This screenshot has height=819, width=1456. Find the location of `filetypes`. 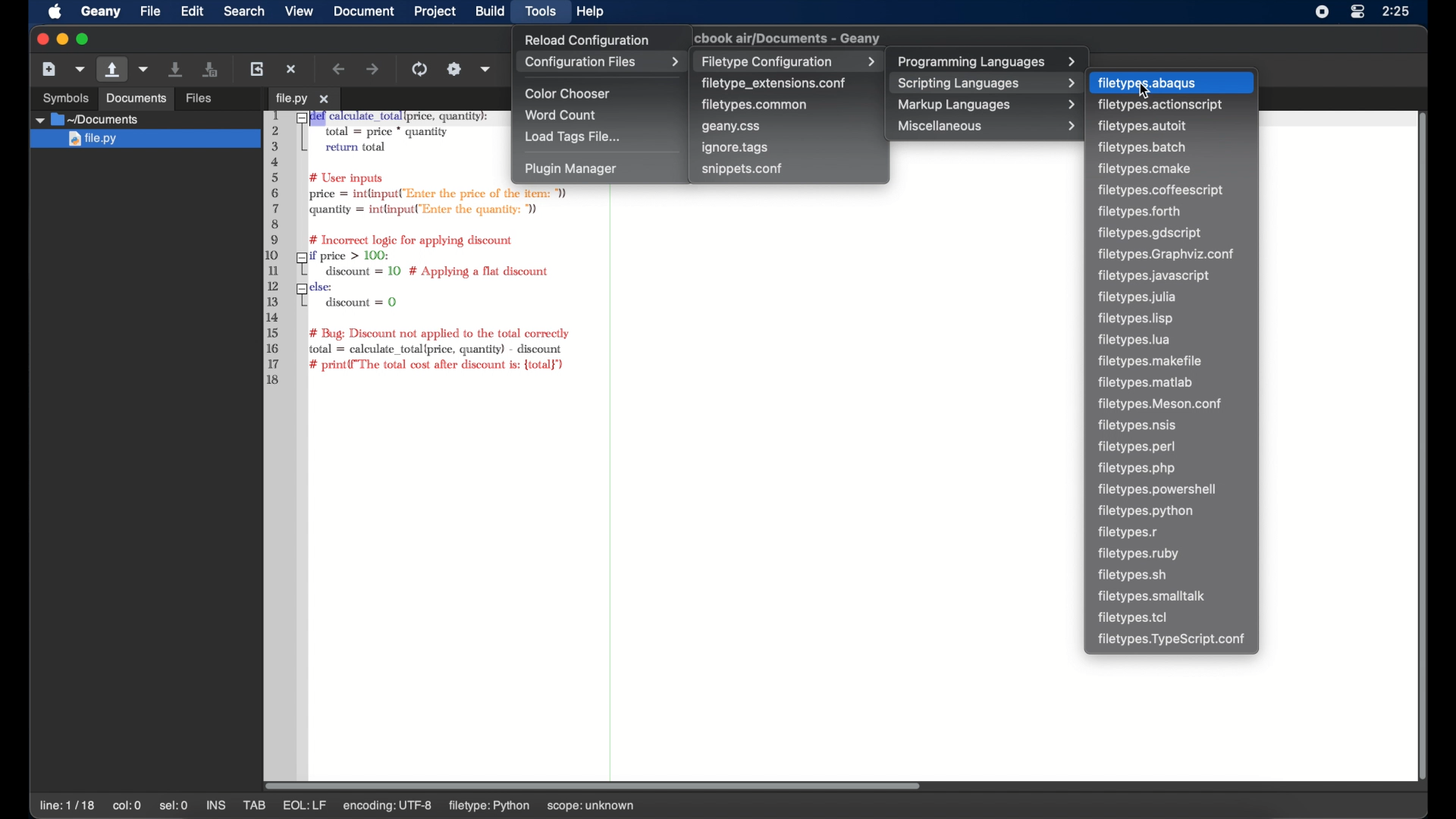

filetypes is located at coordinates (1152, 234).